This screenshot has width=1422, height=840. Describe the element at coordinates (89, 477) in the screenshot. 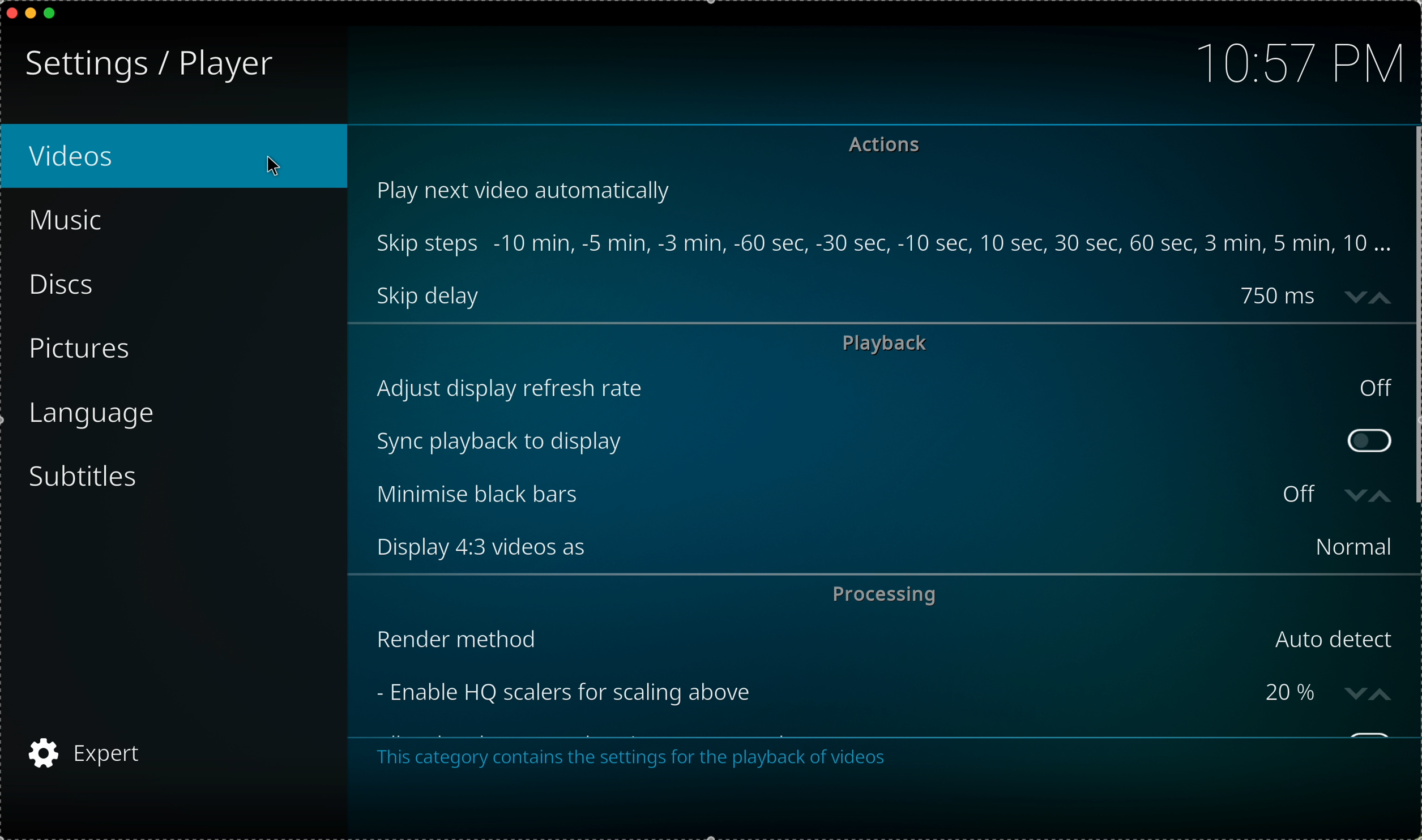

I see `subtitles` at that location.